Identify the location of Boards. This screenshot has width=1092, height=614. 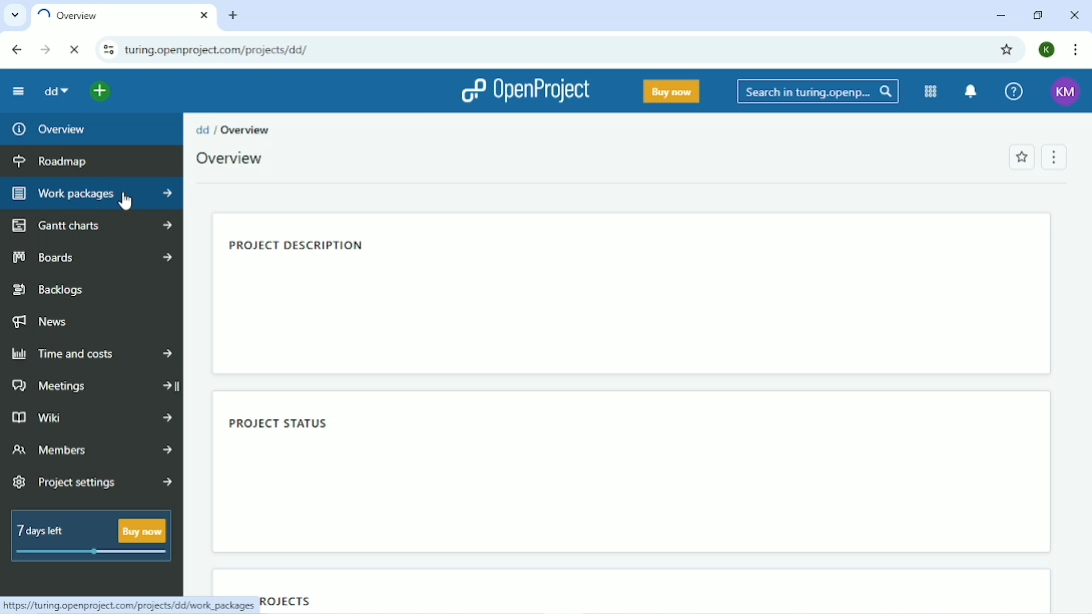
(92, 258).